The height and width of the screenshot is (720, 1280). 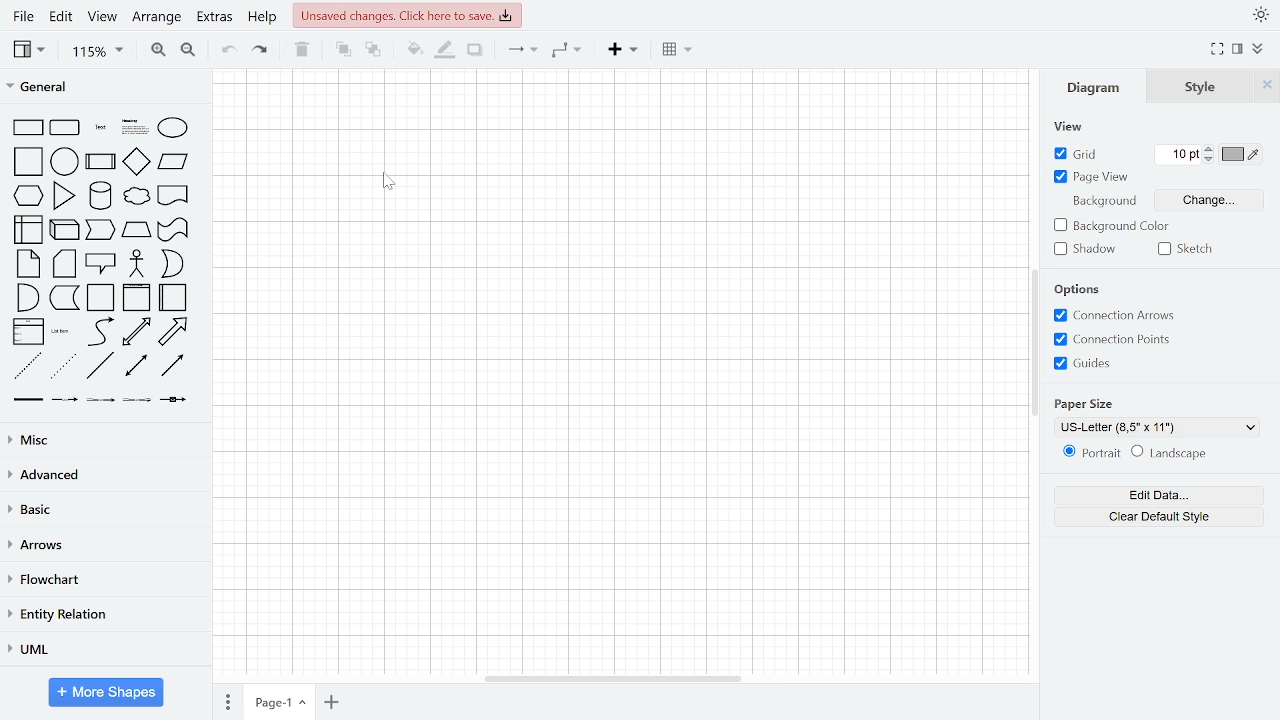 I want to click on cube, so click(x=64, y=231).